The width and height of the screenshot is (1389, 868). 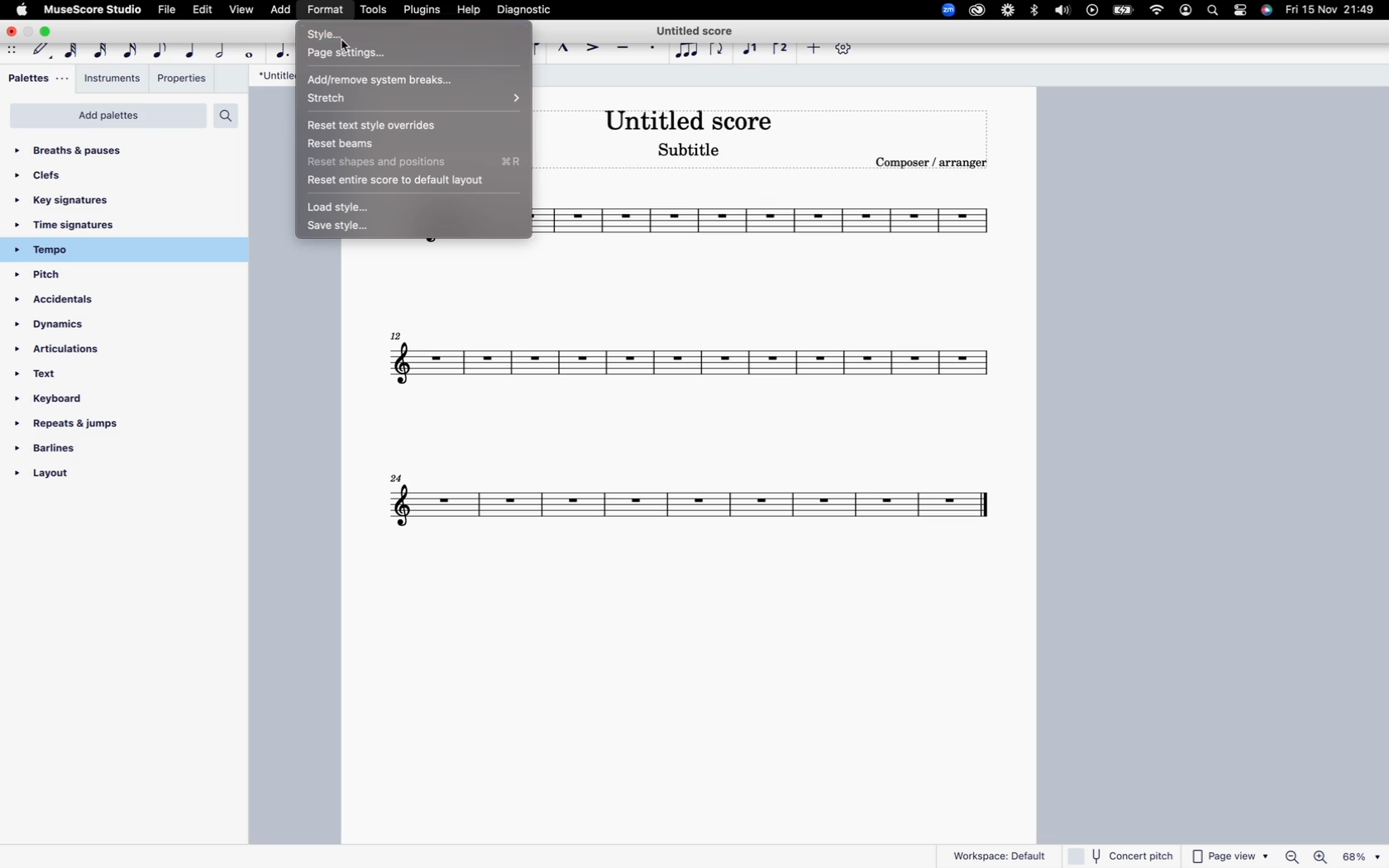 What do you see at coordinates (1093, 12) in the screenshot?
I see `play` at bounding box center [1093, 12].